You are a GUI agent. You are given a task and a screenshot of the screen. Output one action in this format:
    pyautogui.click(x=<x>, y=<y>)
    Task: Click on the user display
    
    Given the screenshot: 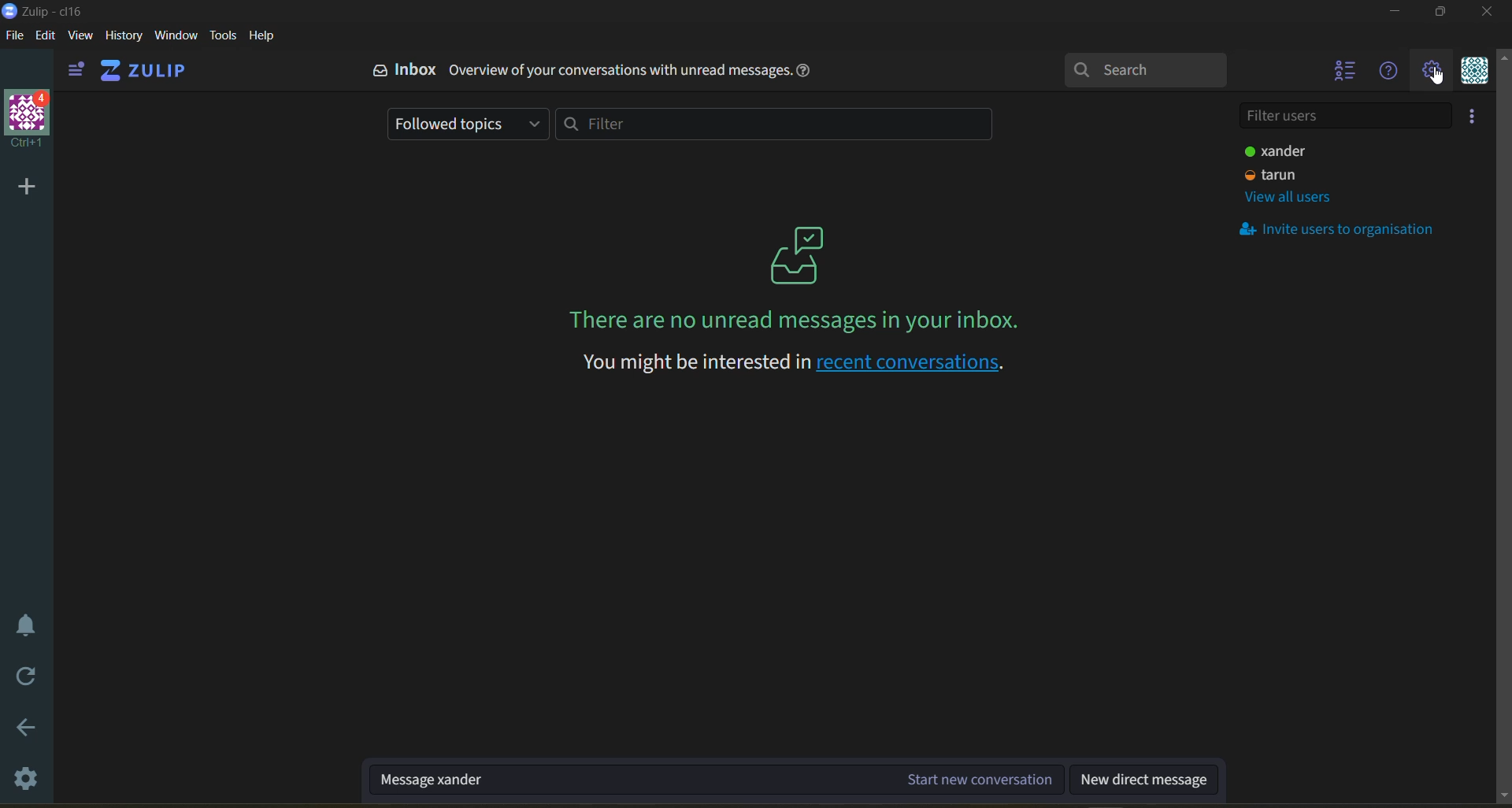 What is the action you would take?
    pyautogui.click(x=1279, y=152)
    